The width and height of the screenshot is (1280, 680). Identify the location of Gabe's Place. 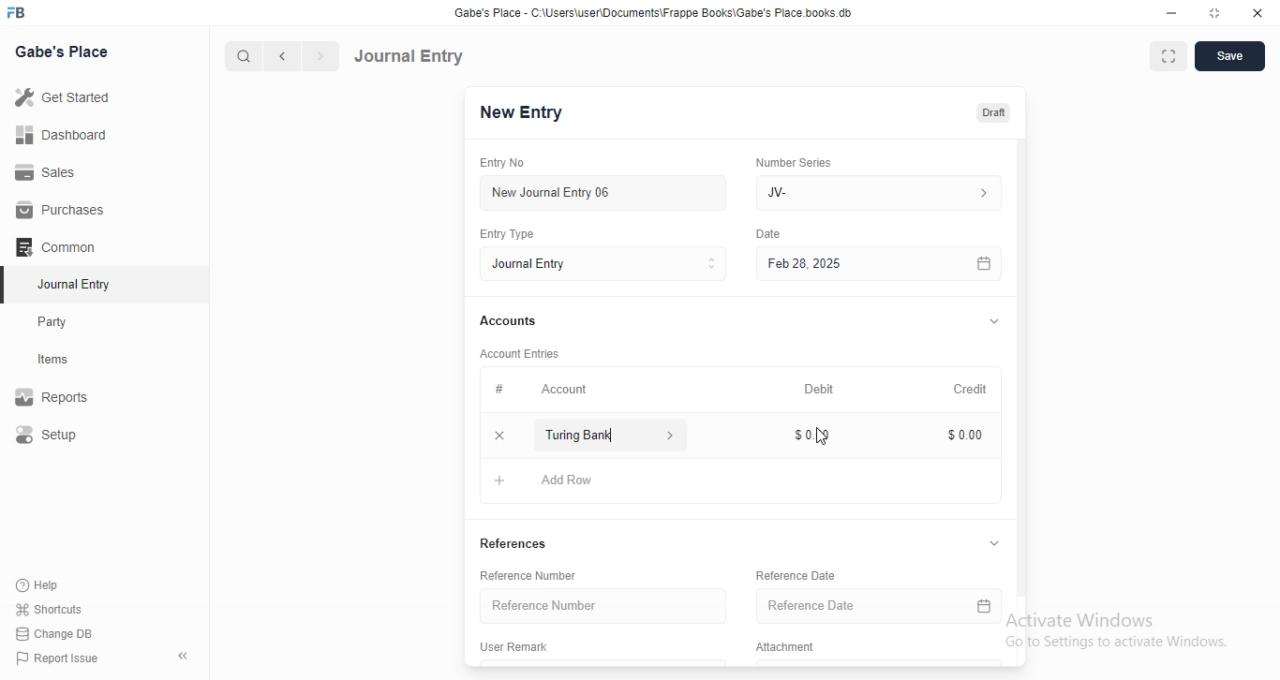
(62, 51).